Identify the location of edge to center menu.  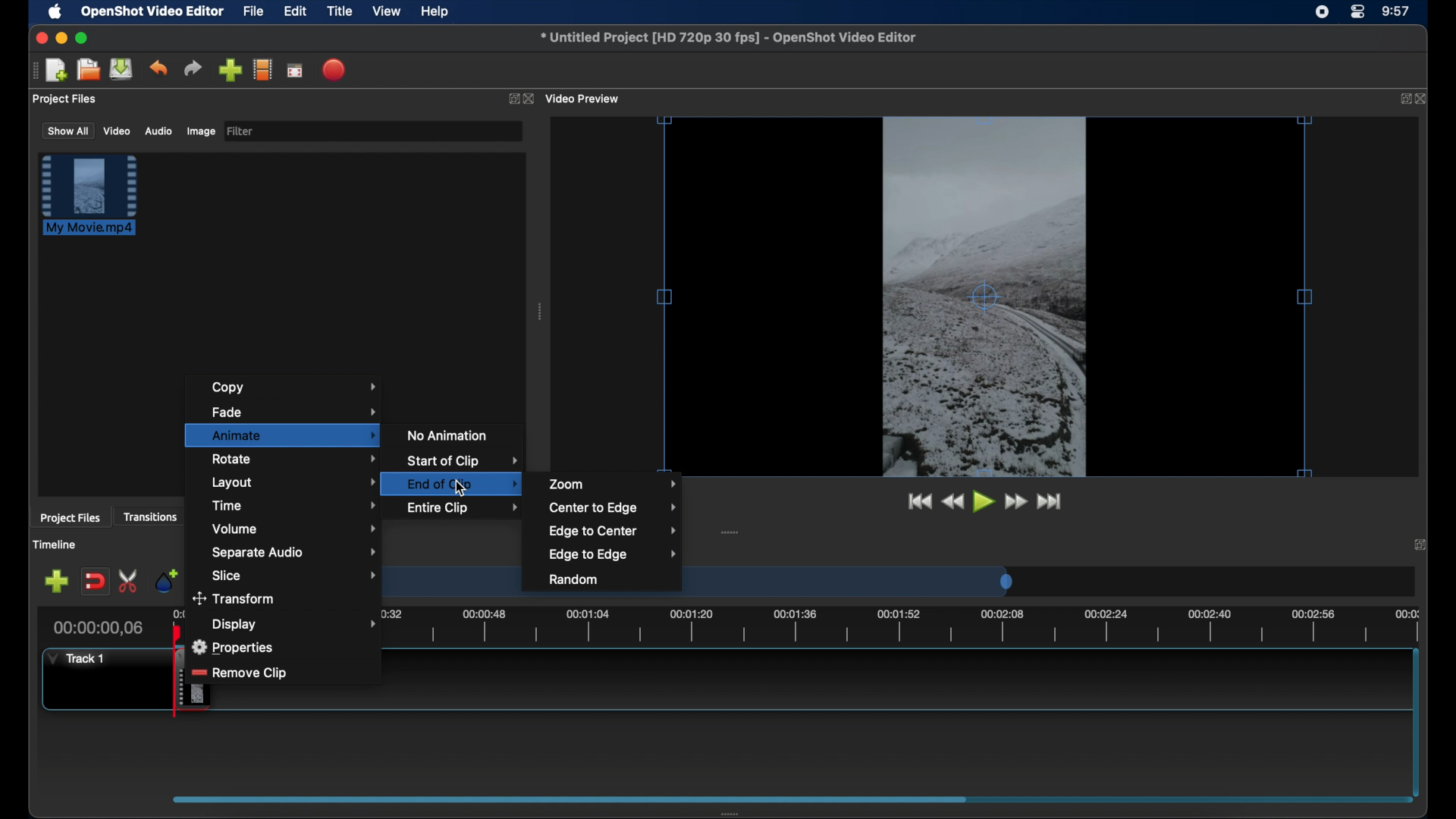
(613, 532).